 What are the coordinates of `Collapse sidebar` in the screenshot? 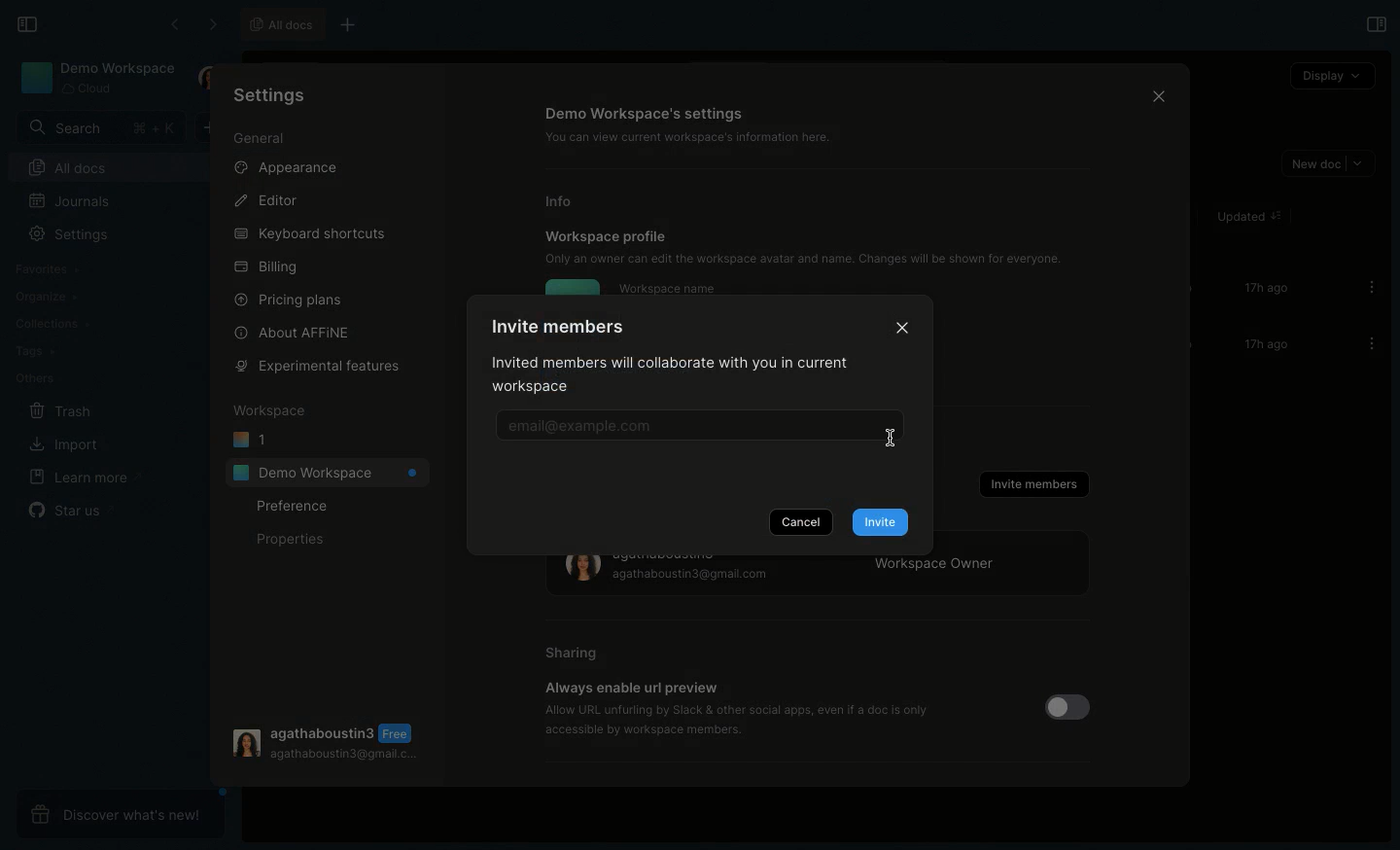 It's located at (26, 23).